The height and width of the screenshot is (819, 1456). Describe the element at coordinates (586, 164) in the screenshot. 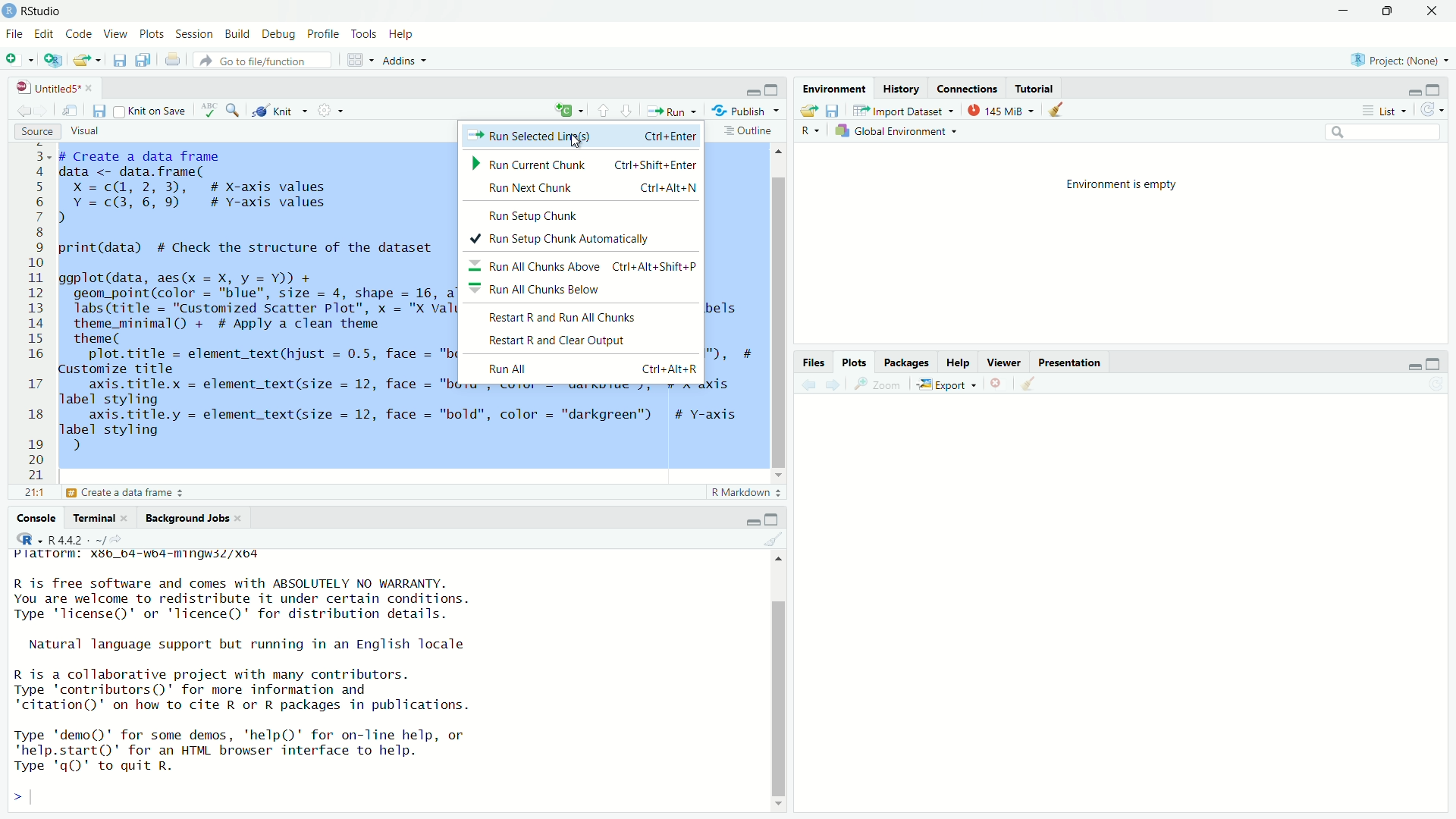

I see `Run Current chunk` at that location.